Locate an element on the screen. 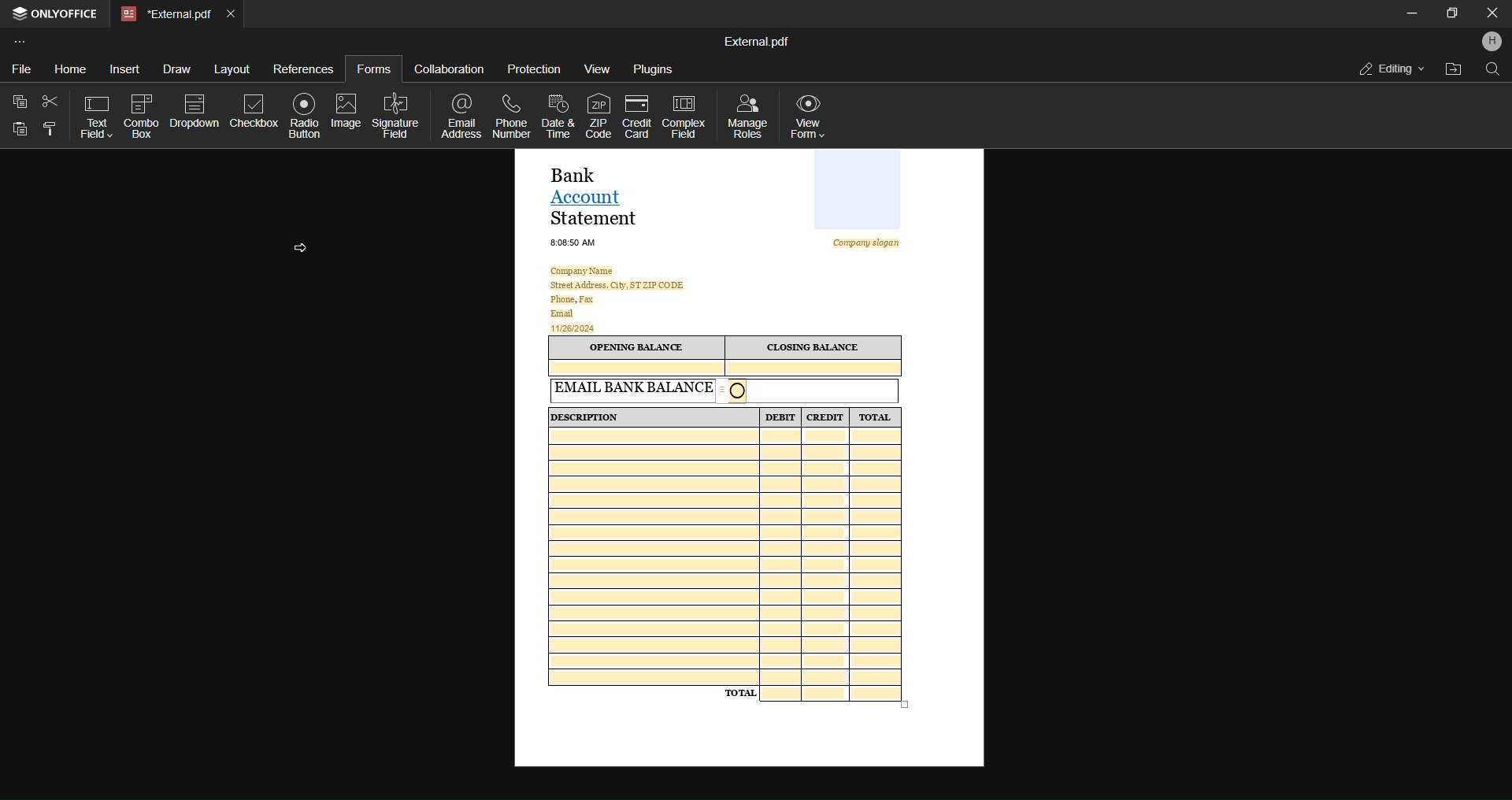 This screenshot has width=1512, height=800. phone number is located at coordinates (511, 115).